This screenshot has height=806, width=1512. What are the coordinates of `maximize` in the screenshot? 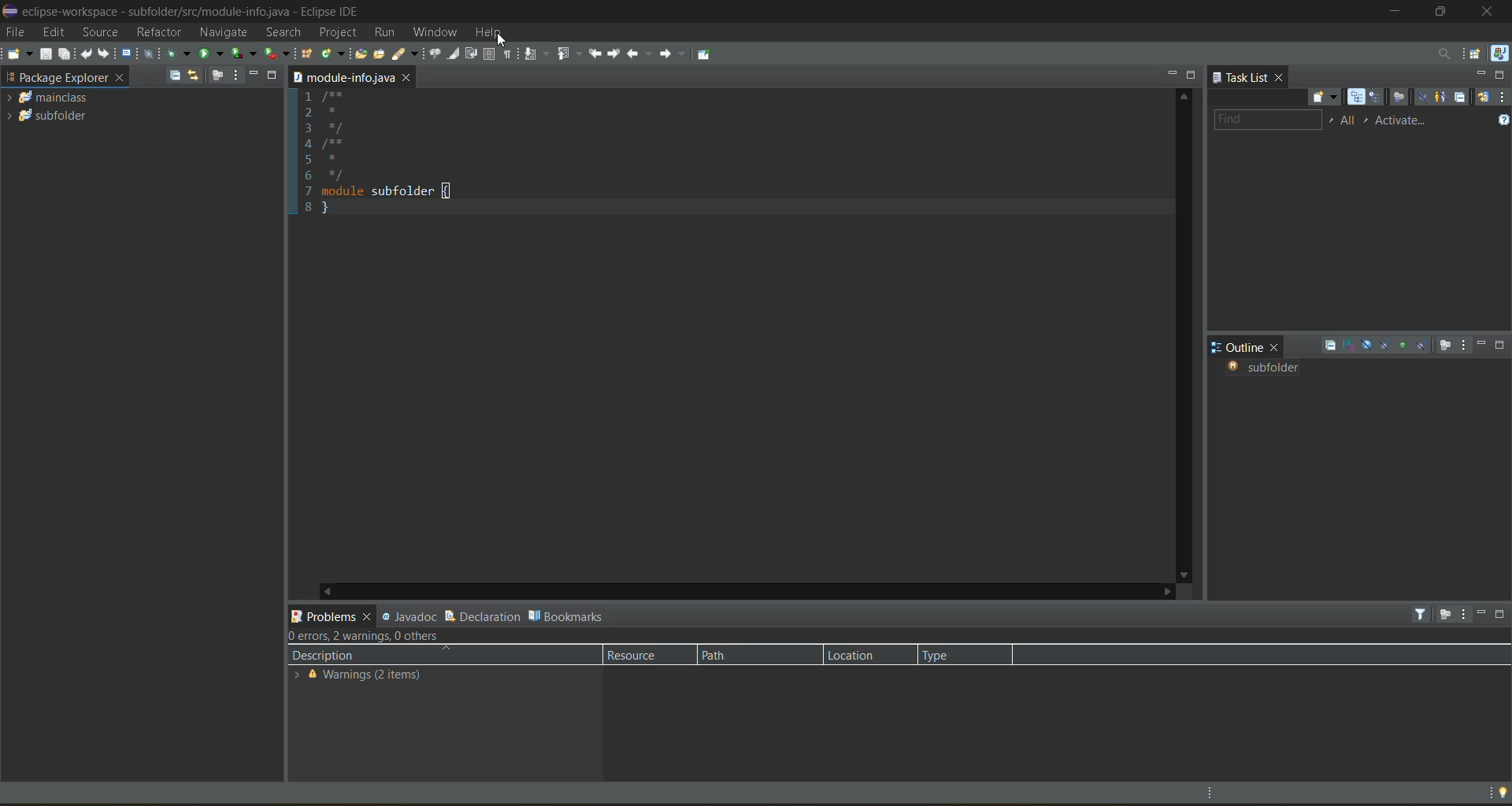 It's located at (1503, 616).